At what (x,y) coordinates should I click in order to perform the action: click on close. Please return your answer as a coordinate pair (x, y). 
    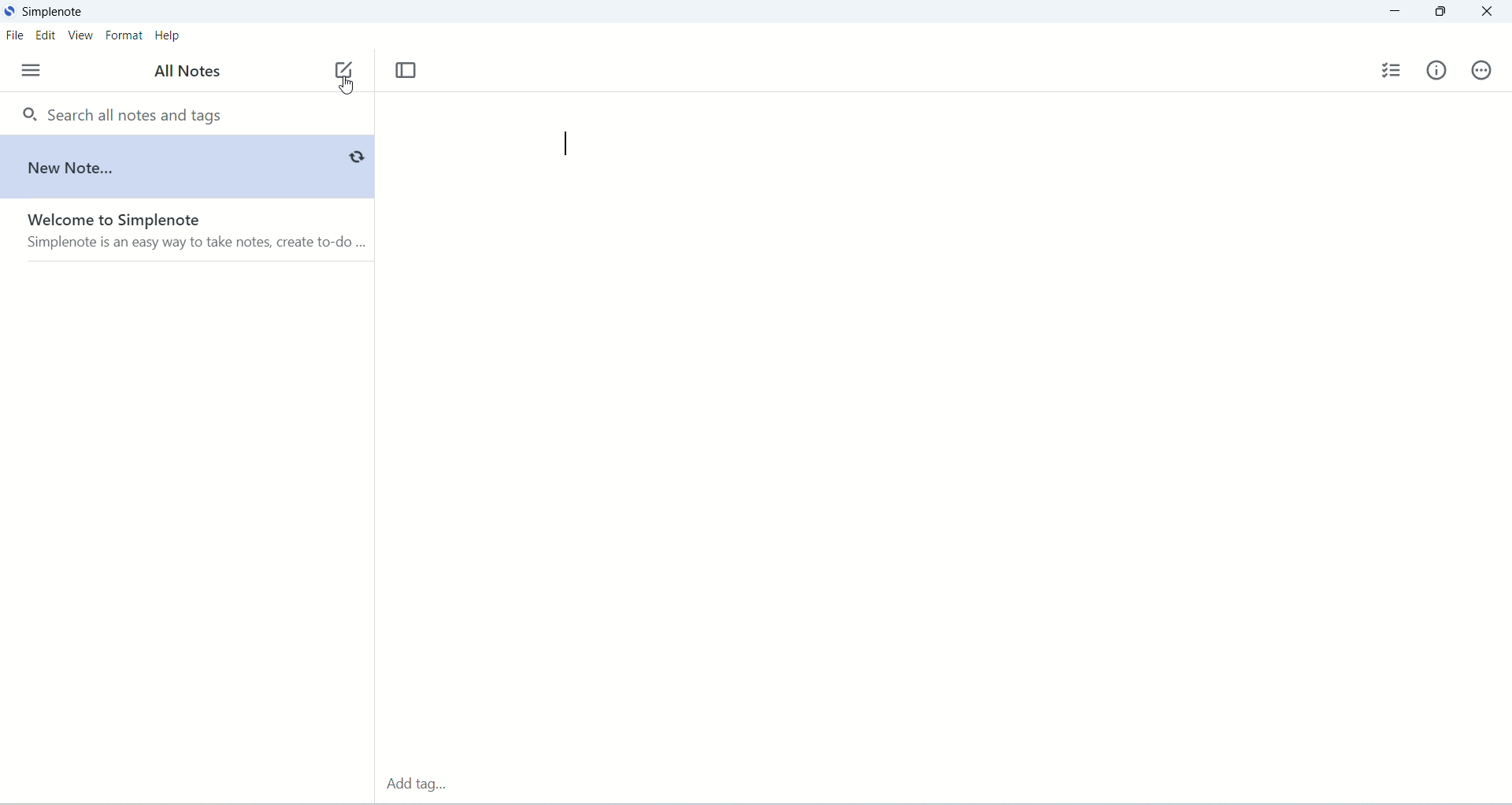
    Looking at the image, I should click on (1484, 13).